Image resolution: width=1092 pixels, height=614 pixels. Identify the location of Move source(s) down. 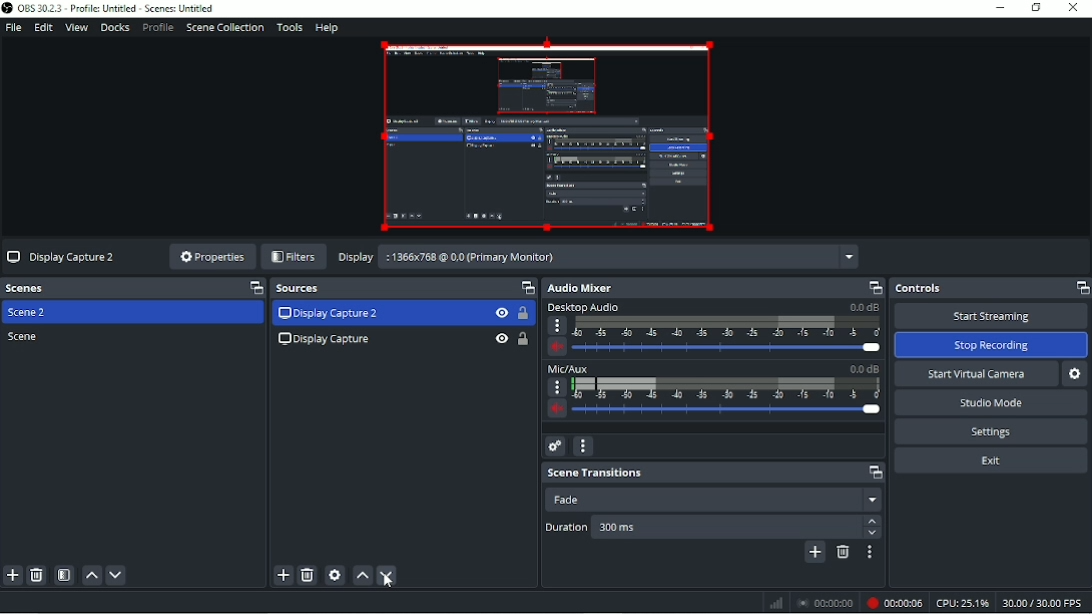
(388, 576).